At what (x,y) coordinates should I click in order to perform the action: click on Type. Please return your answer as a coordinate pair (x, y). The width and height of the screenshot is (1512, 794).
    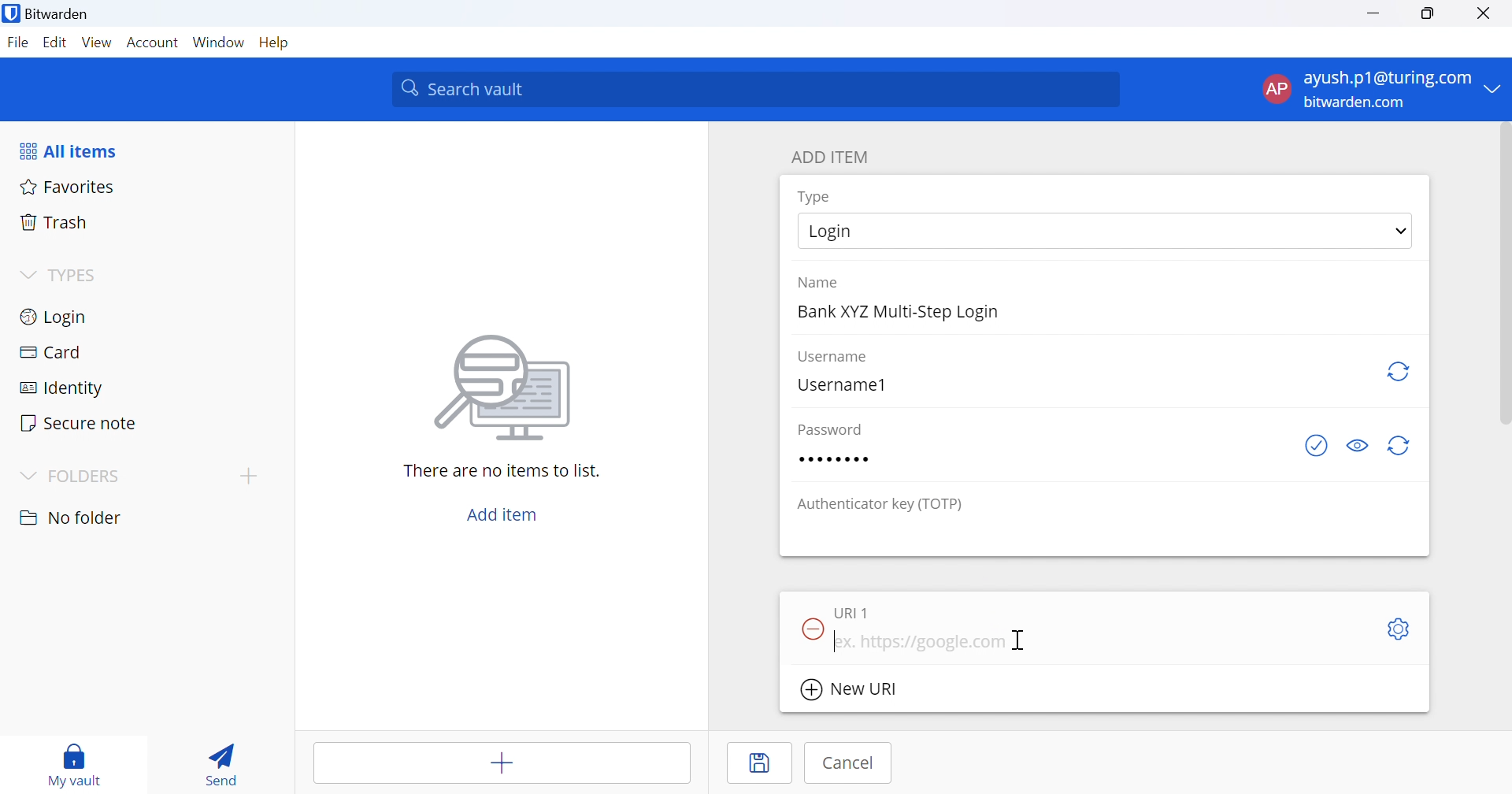
    Looking at the image, I should click on (815, 197).